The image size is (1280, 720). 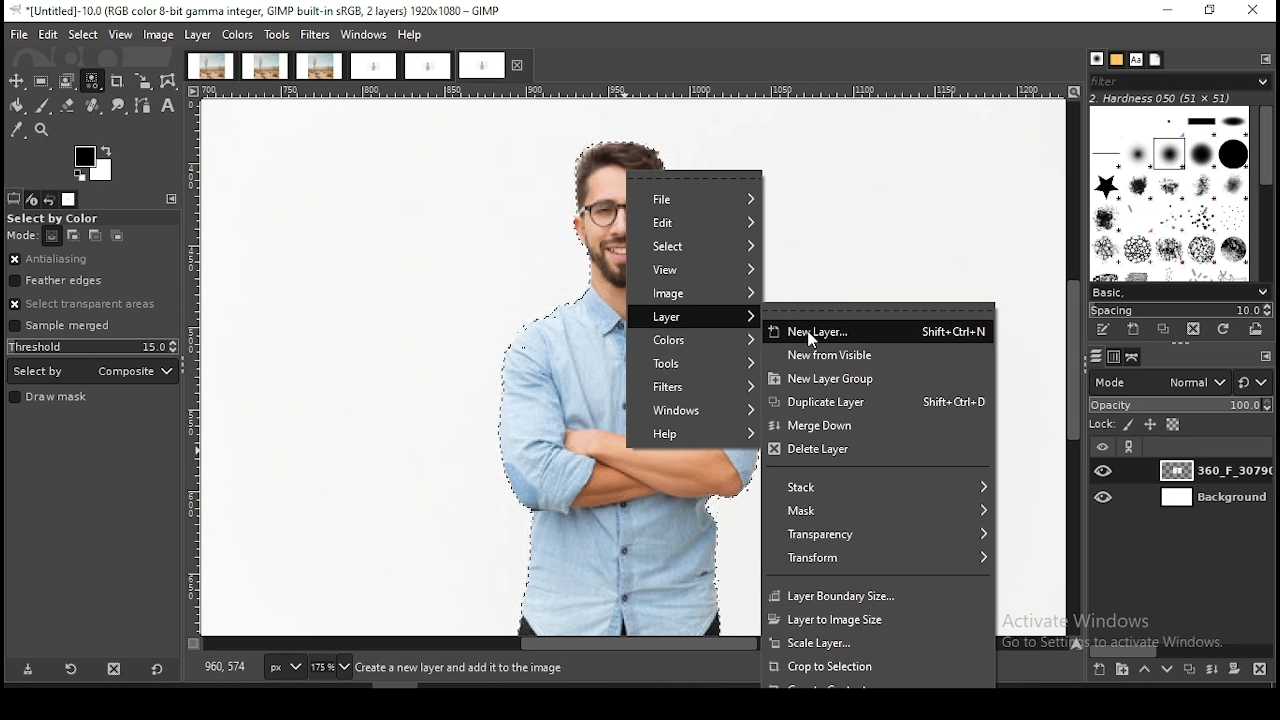 I want to click on scale, so click(x=194, y=368).